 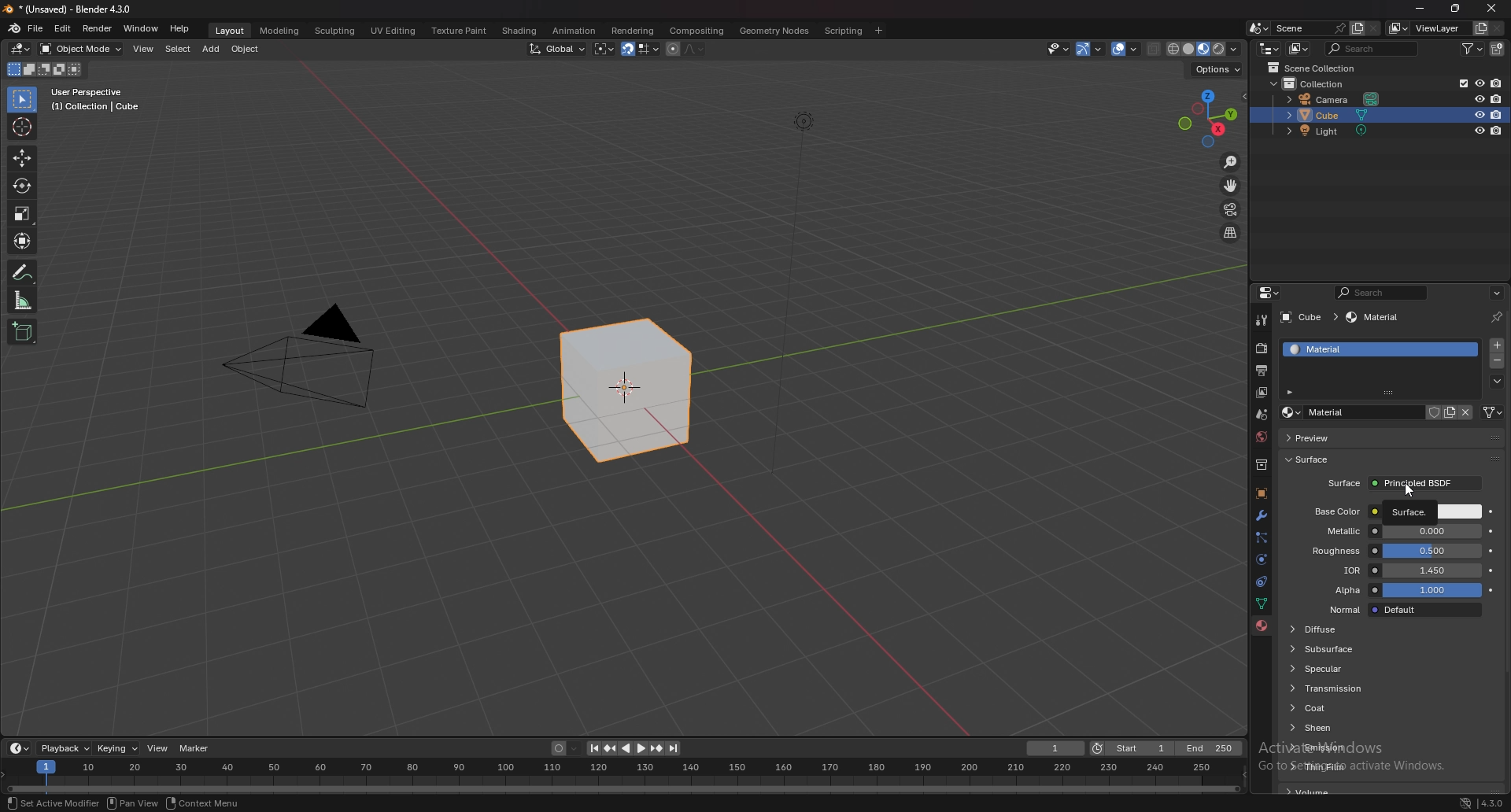 What do you see at coordinates (1154, 49) in the screenshot?
I see `toggle xray` at bounding box center [1154, 49].